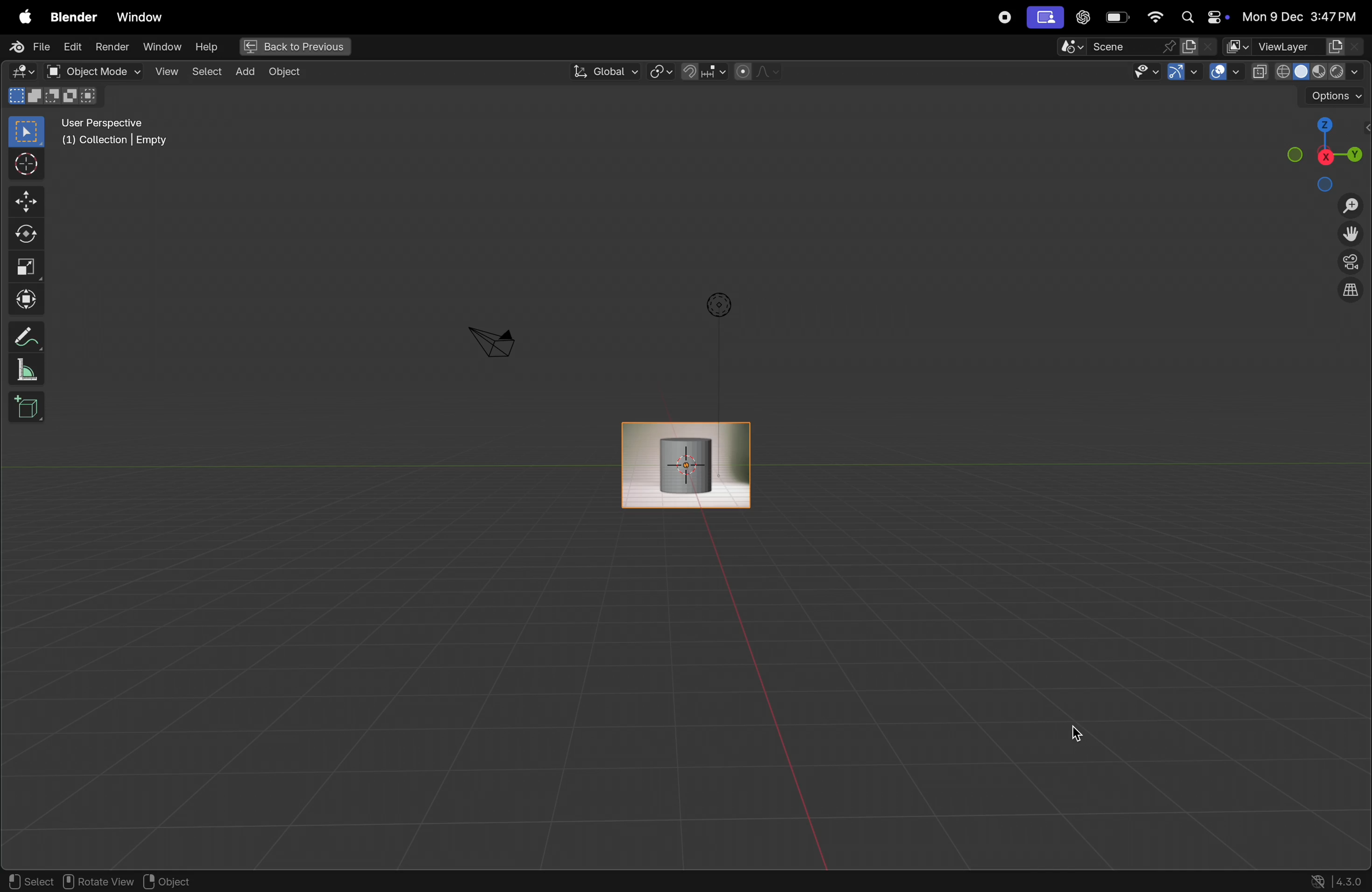 The height and width of the screenshot is (892, 1372). I want to click on score, so click(1117, 46).